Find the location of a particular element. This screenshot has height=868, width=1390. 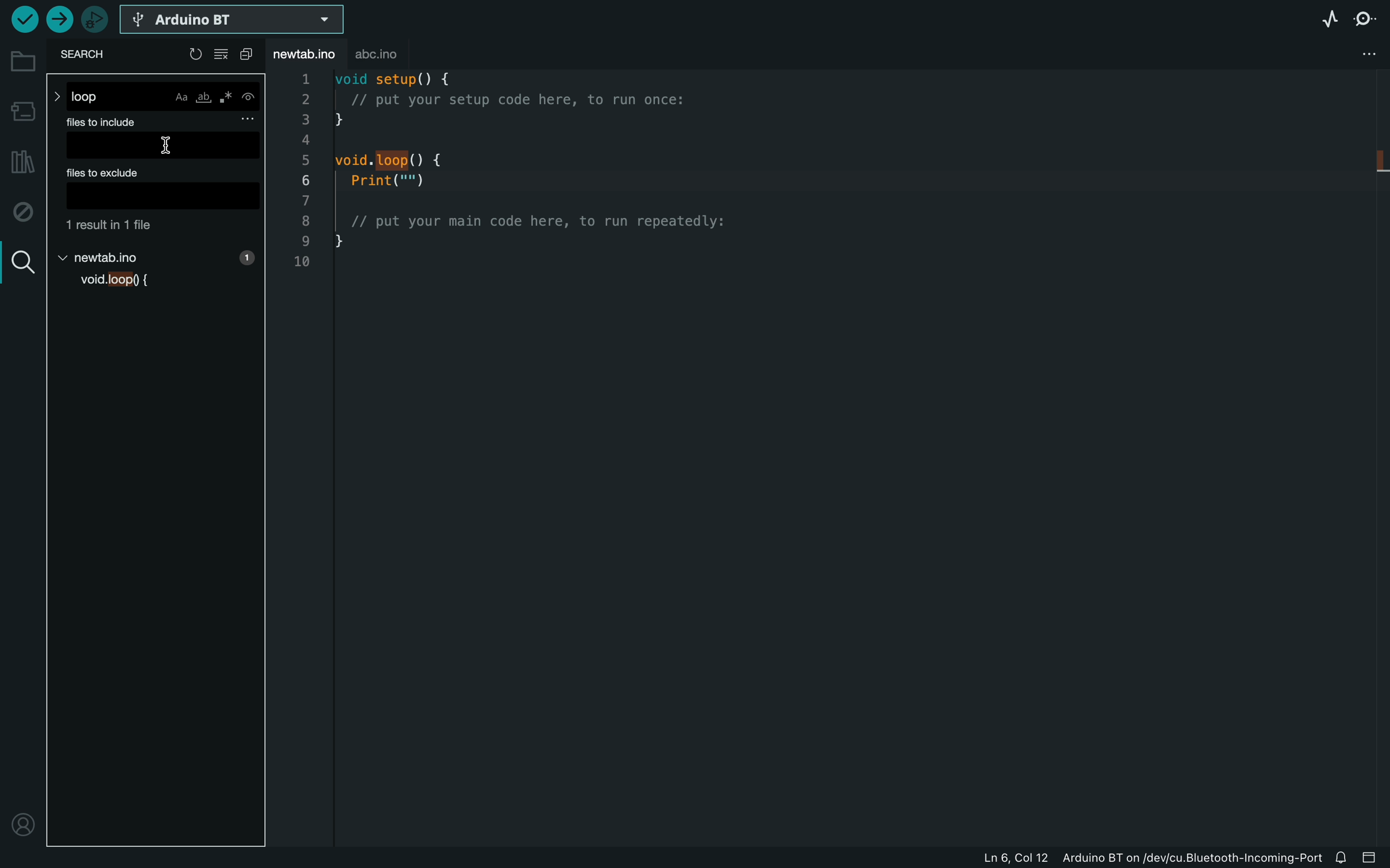

file setting is located at coordinates (1362, 54).